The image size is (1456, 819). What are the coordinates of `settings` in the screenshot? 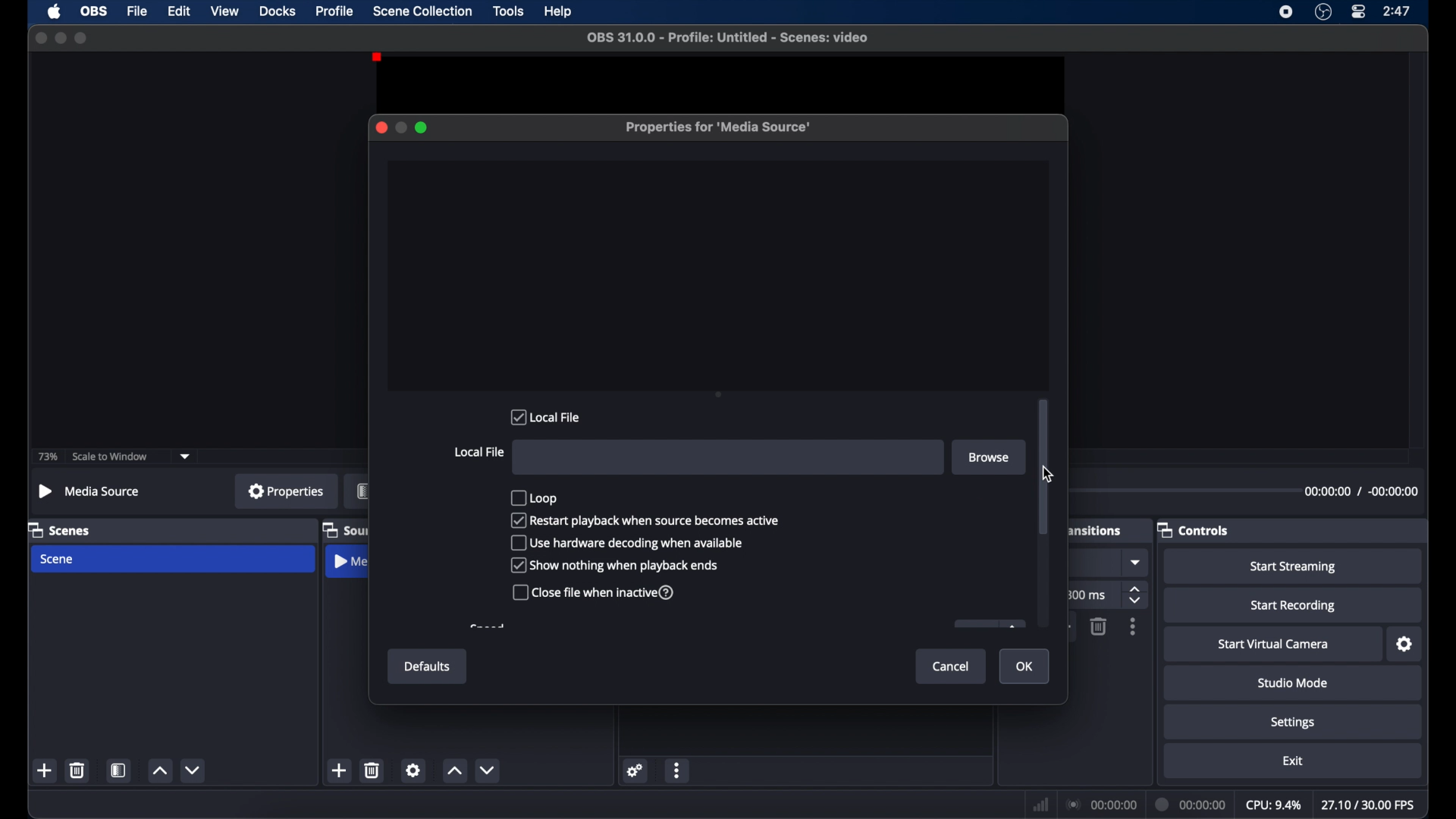 It's located at (1293, 723).